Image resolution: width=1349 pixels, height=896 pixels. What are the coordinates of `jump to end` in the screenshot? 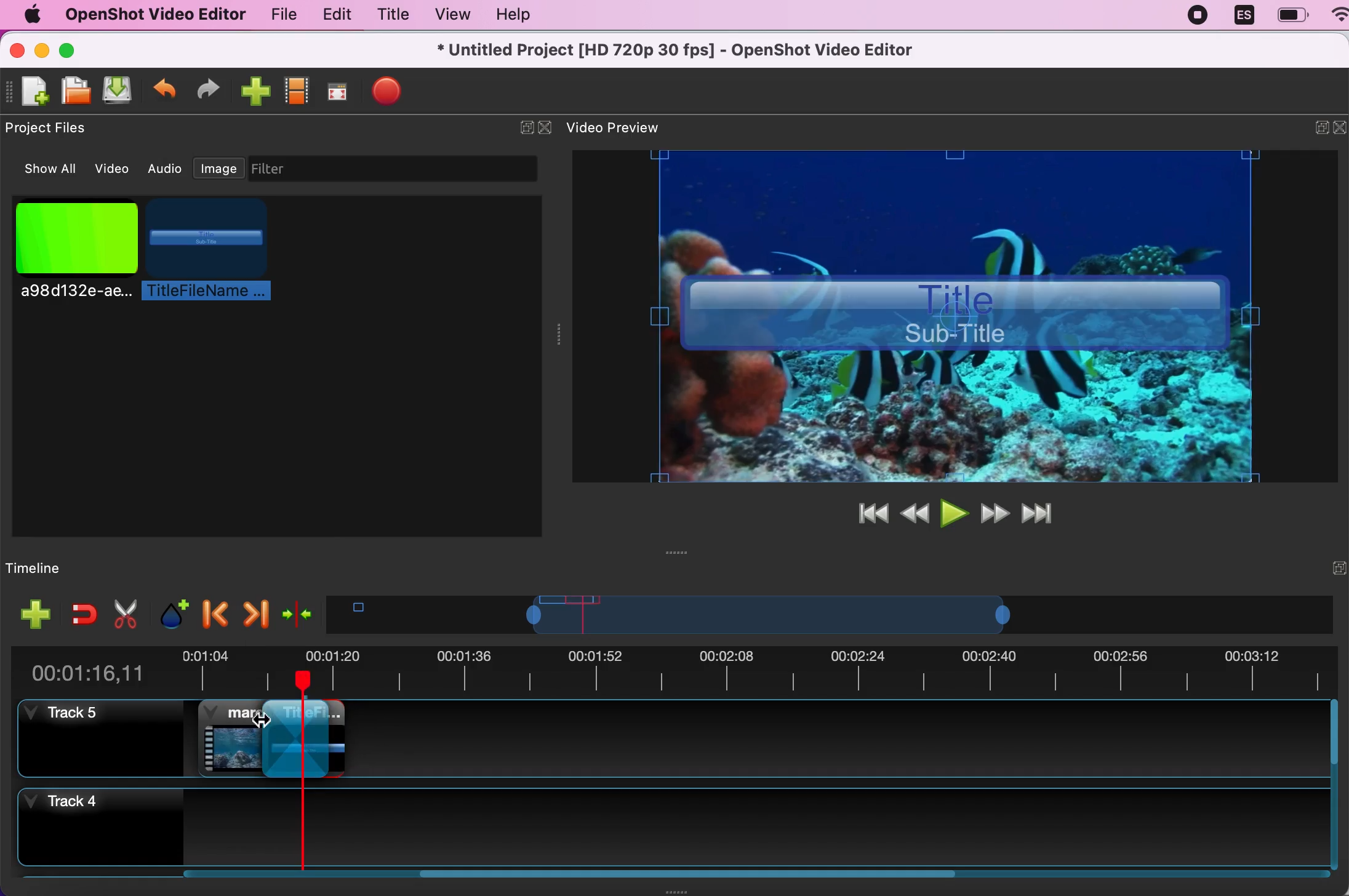 It's located at (1046, 514).